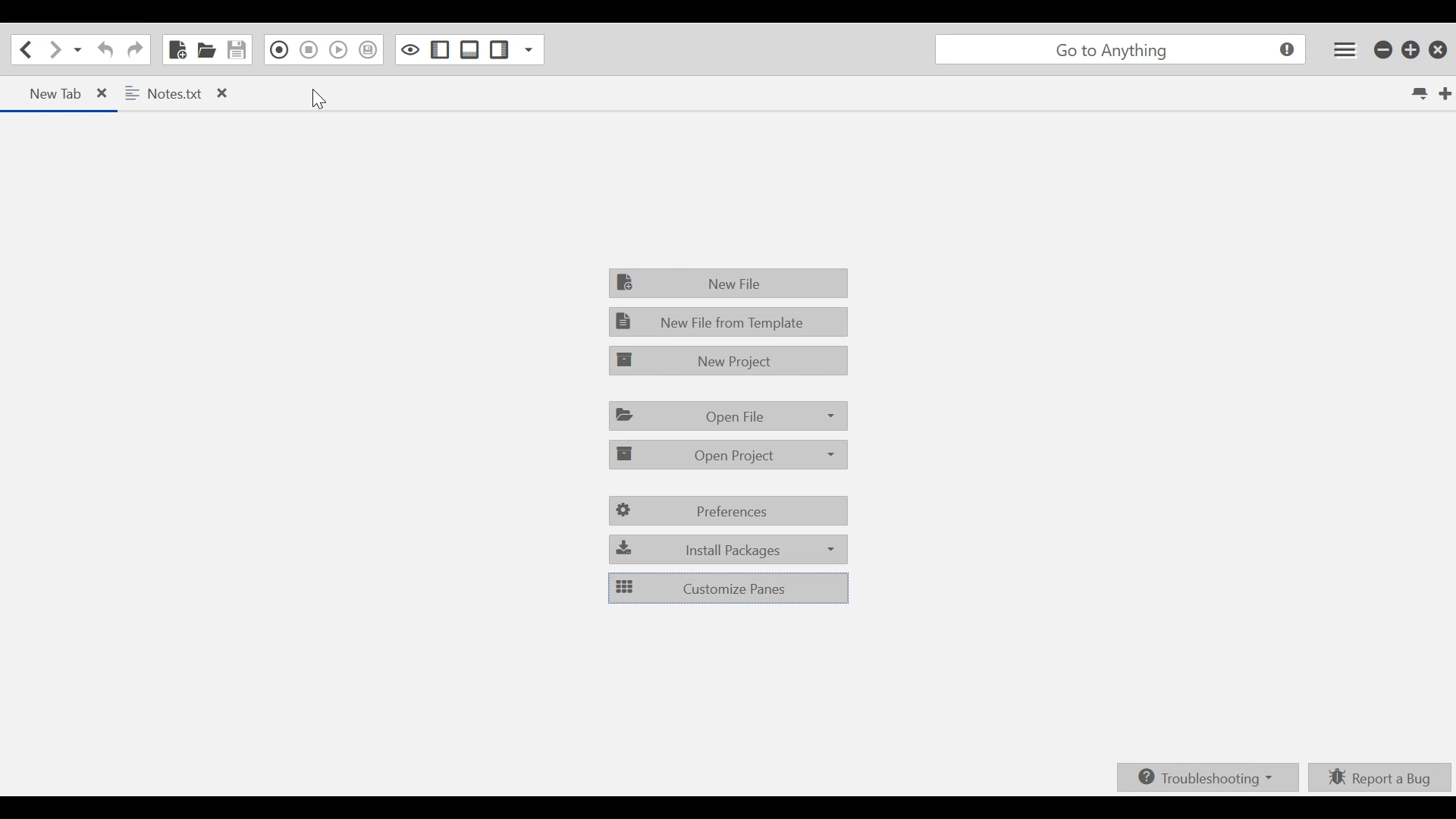 The width and height of the screenshot is (1456, 819). I want to click on Open Tab, so click(181, 94).